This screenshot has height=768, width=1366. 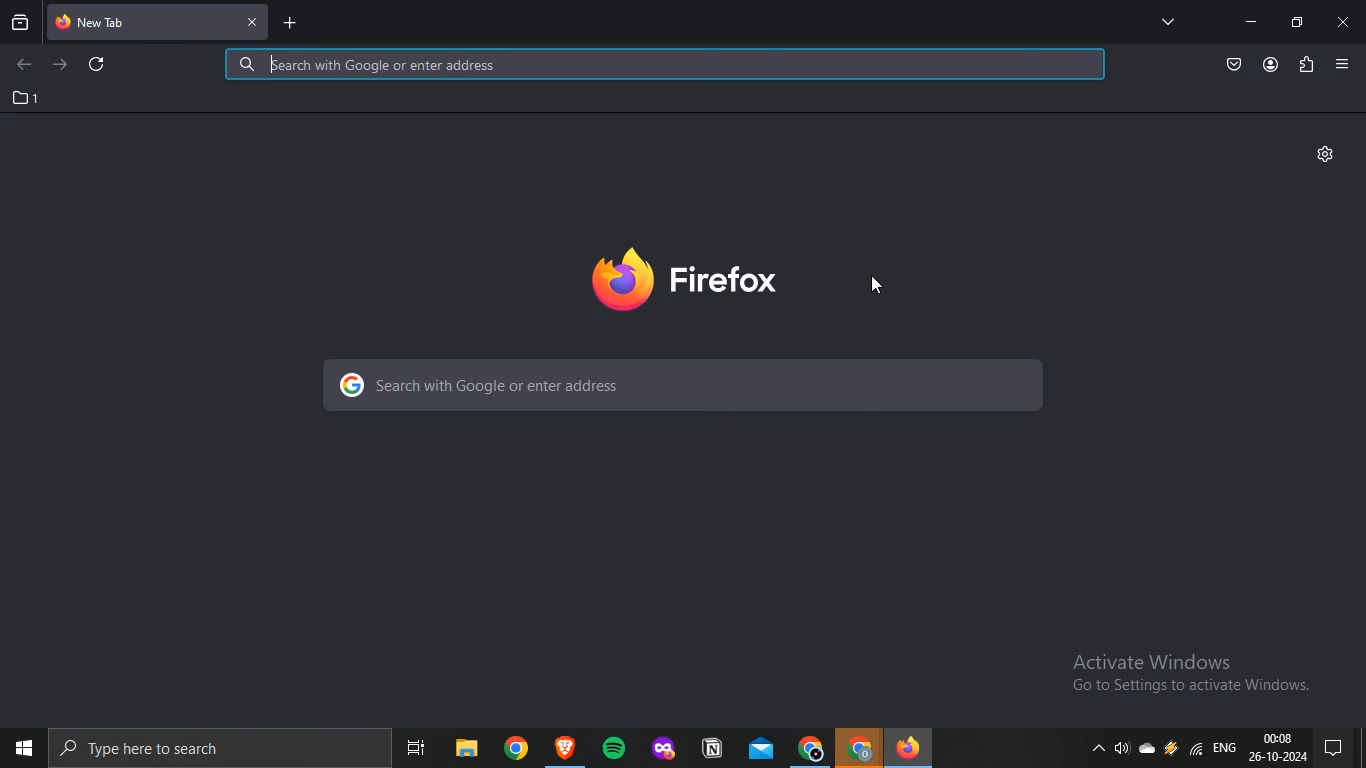 I want to click on firefox, so click(x=915, y=747).